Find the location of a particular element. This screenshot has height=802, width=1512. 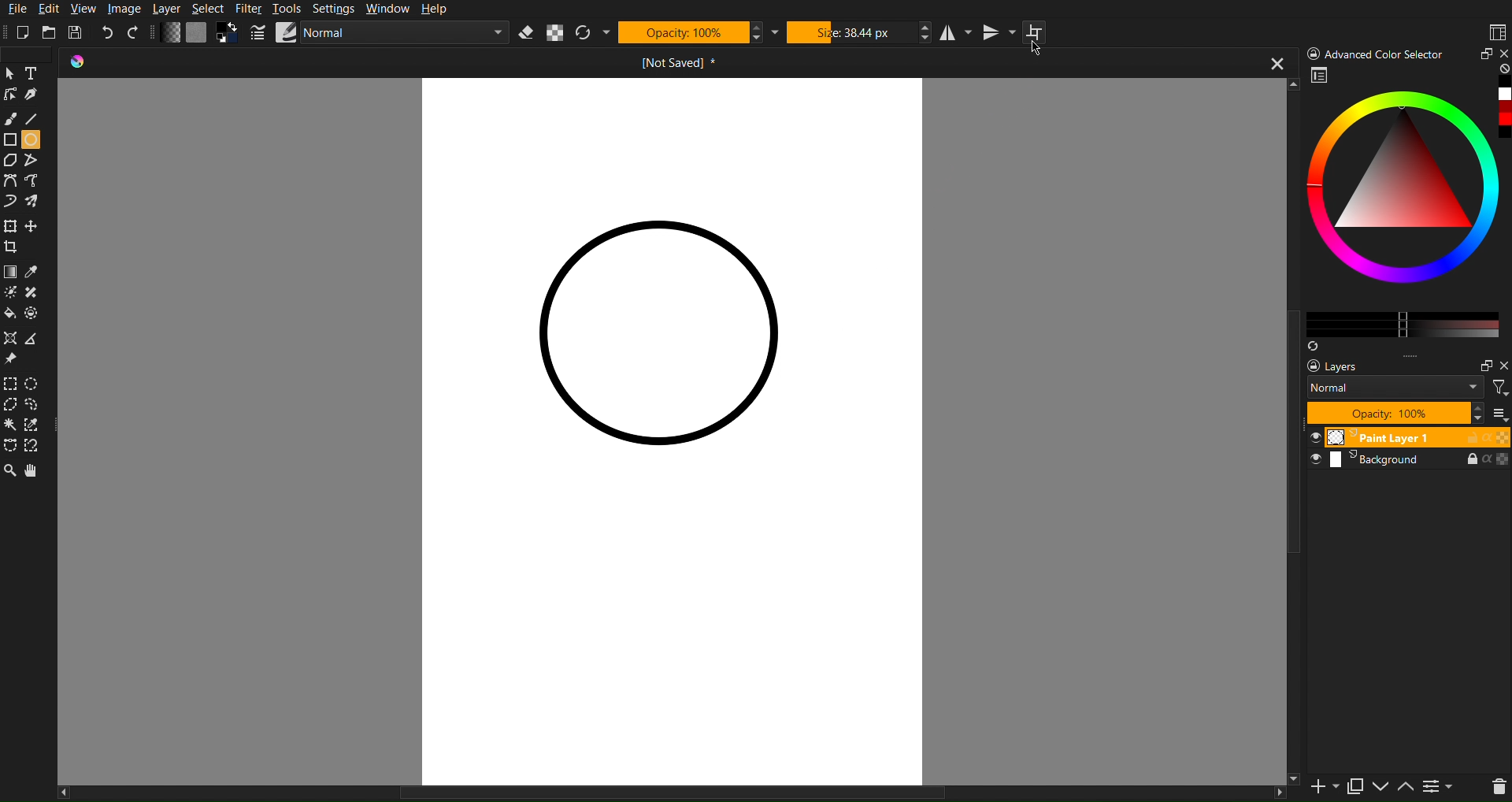

Curve  tool is located at coordinates (35, 182).